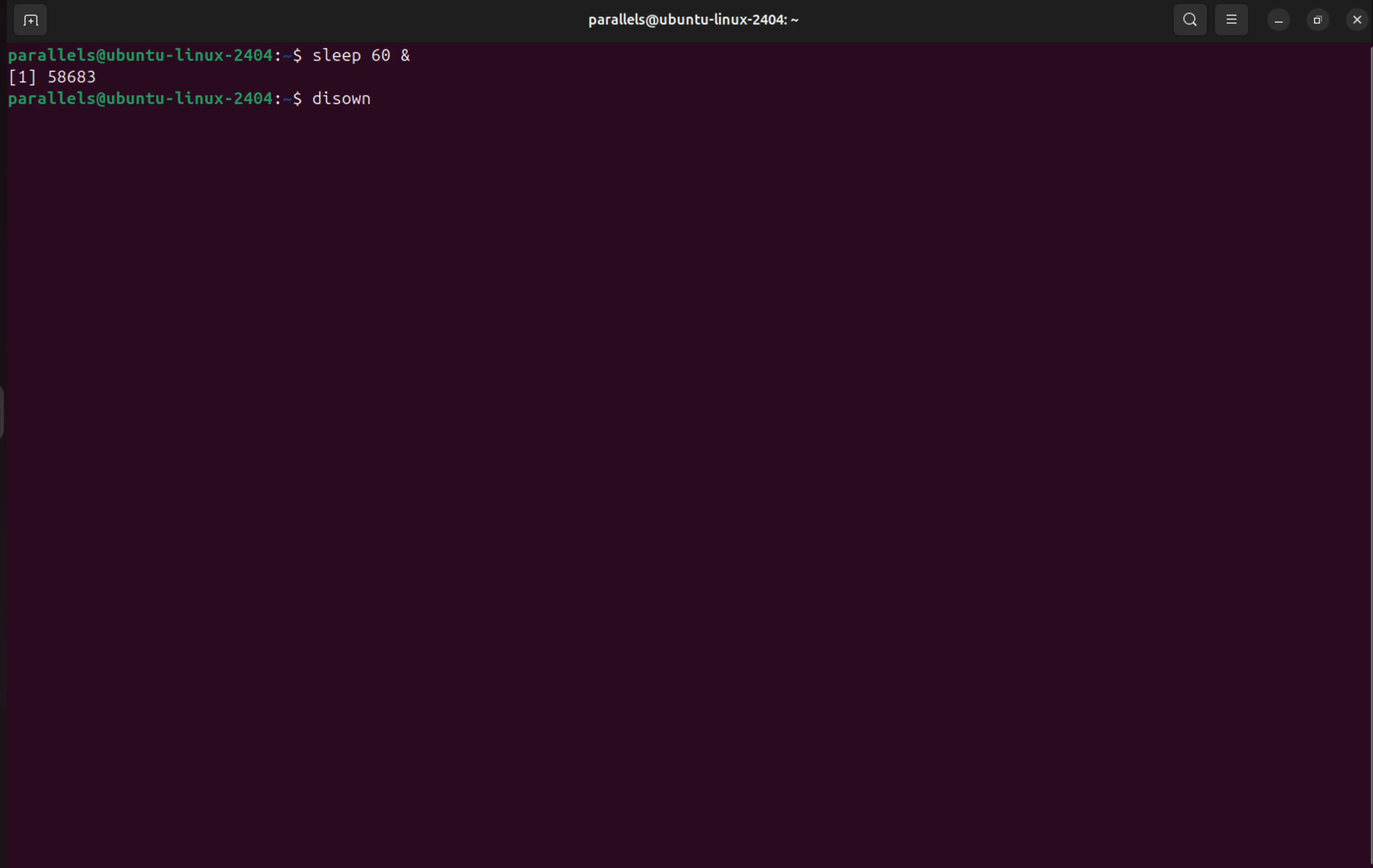 This screenshot has height=868, width=1373. What do you see at coordinates (372, 54) in the screenshot?
I see `sleep60 &` at bounding box center [372, 54].